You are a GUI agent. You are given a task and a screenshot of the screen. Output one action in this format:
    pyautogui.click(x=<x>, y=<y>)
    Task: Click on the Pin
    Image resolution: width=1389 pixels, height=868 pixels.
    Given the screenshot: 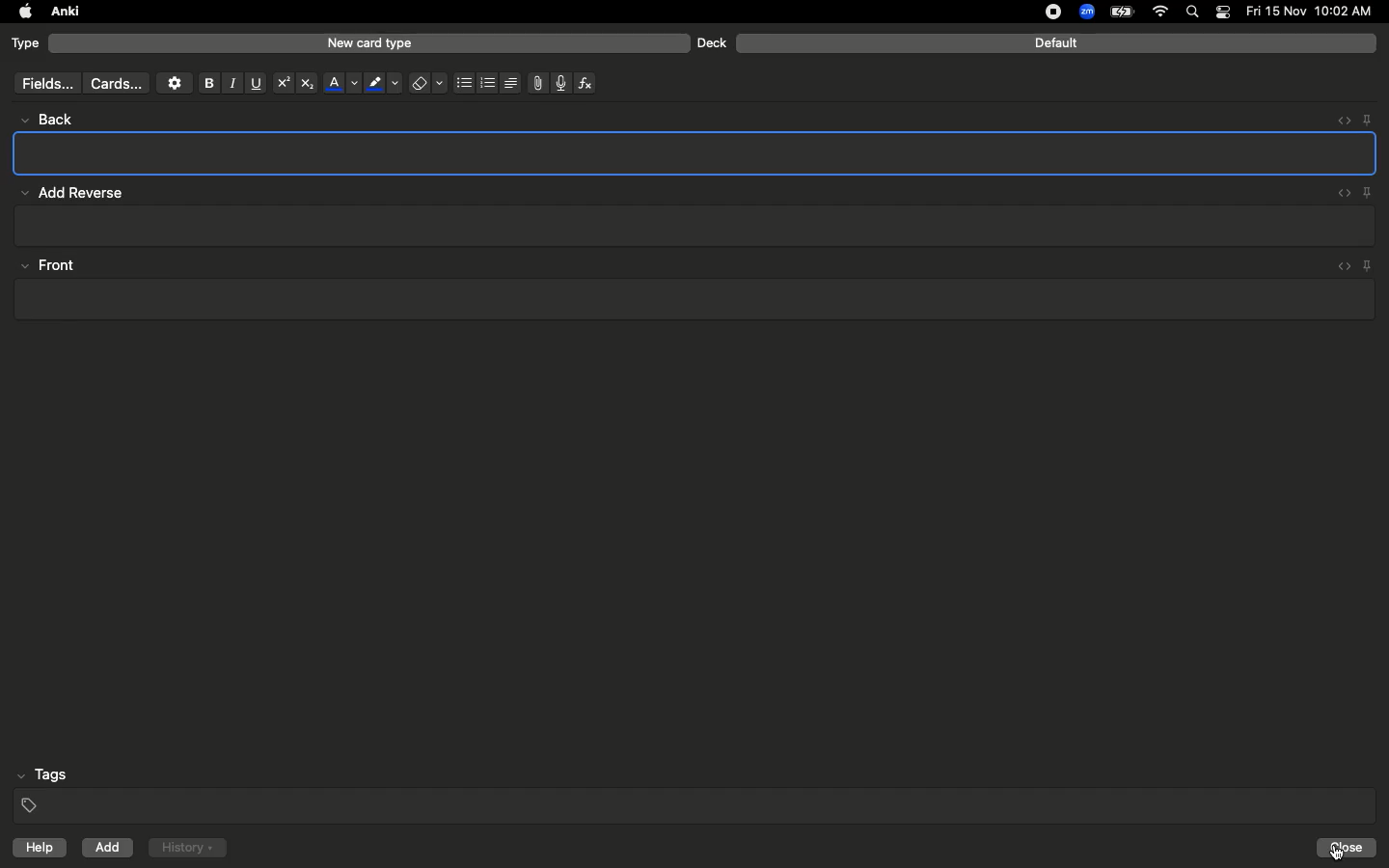 What is the action you would take?
    pyautogui.click(x=1367, y=119)
    